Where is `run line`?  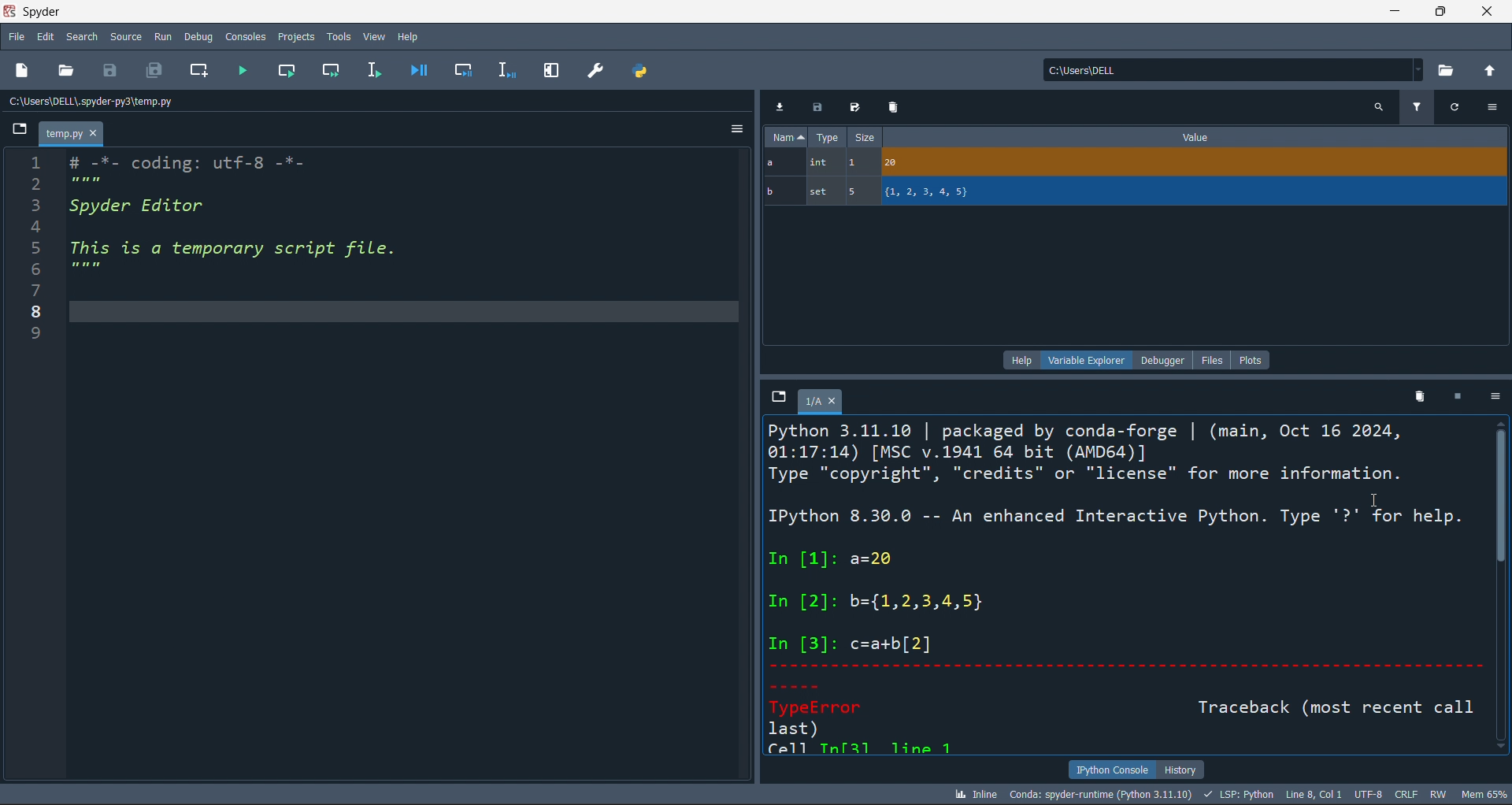
run line is located at coordinates (372, 72).